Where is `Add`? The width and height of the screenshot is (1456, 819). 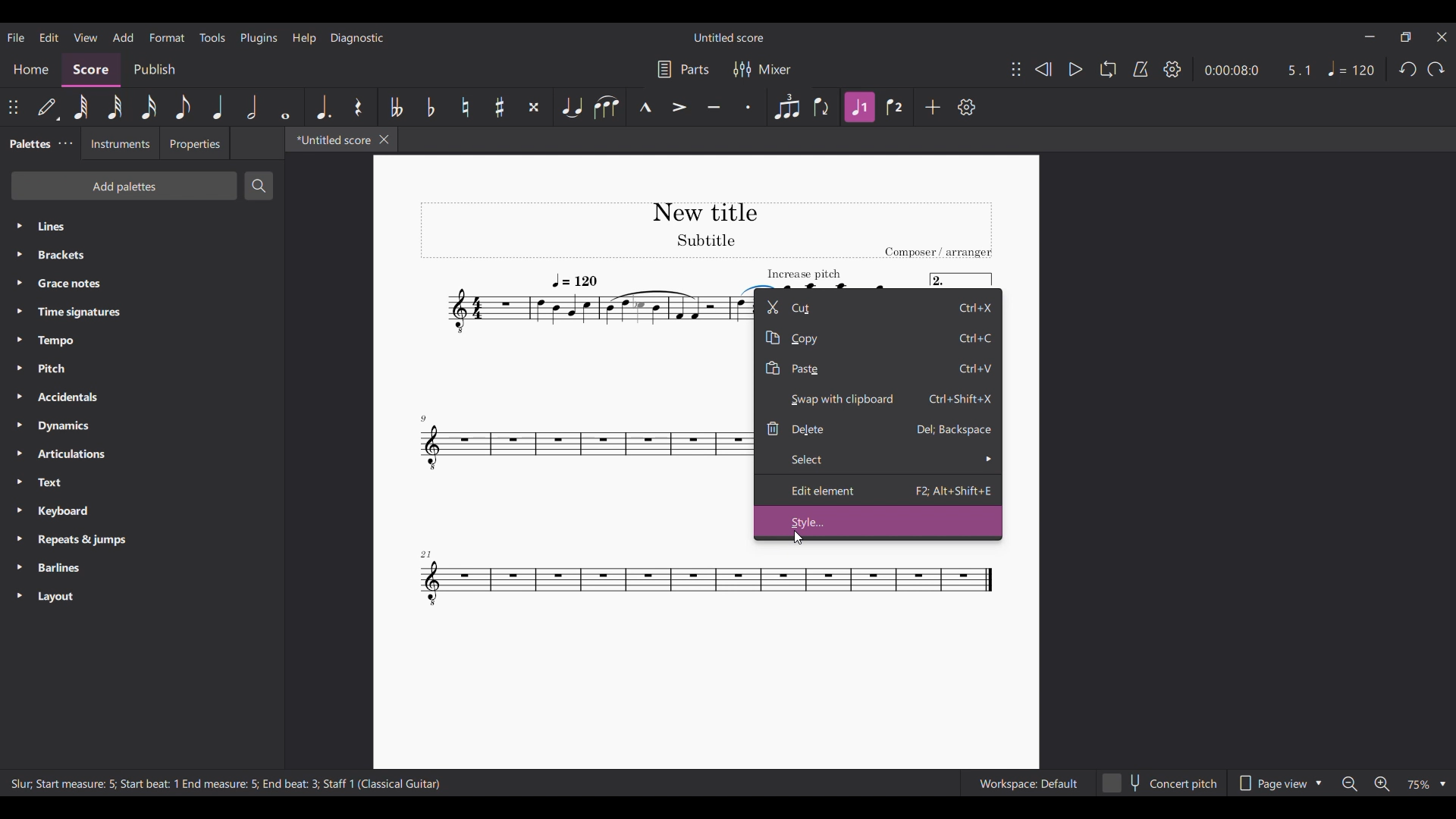
Add is located at coordinates (933, 107).